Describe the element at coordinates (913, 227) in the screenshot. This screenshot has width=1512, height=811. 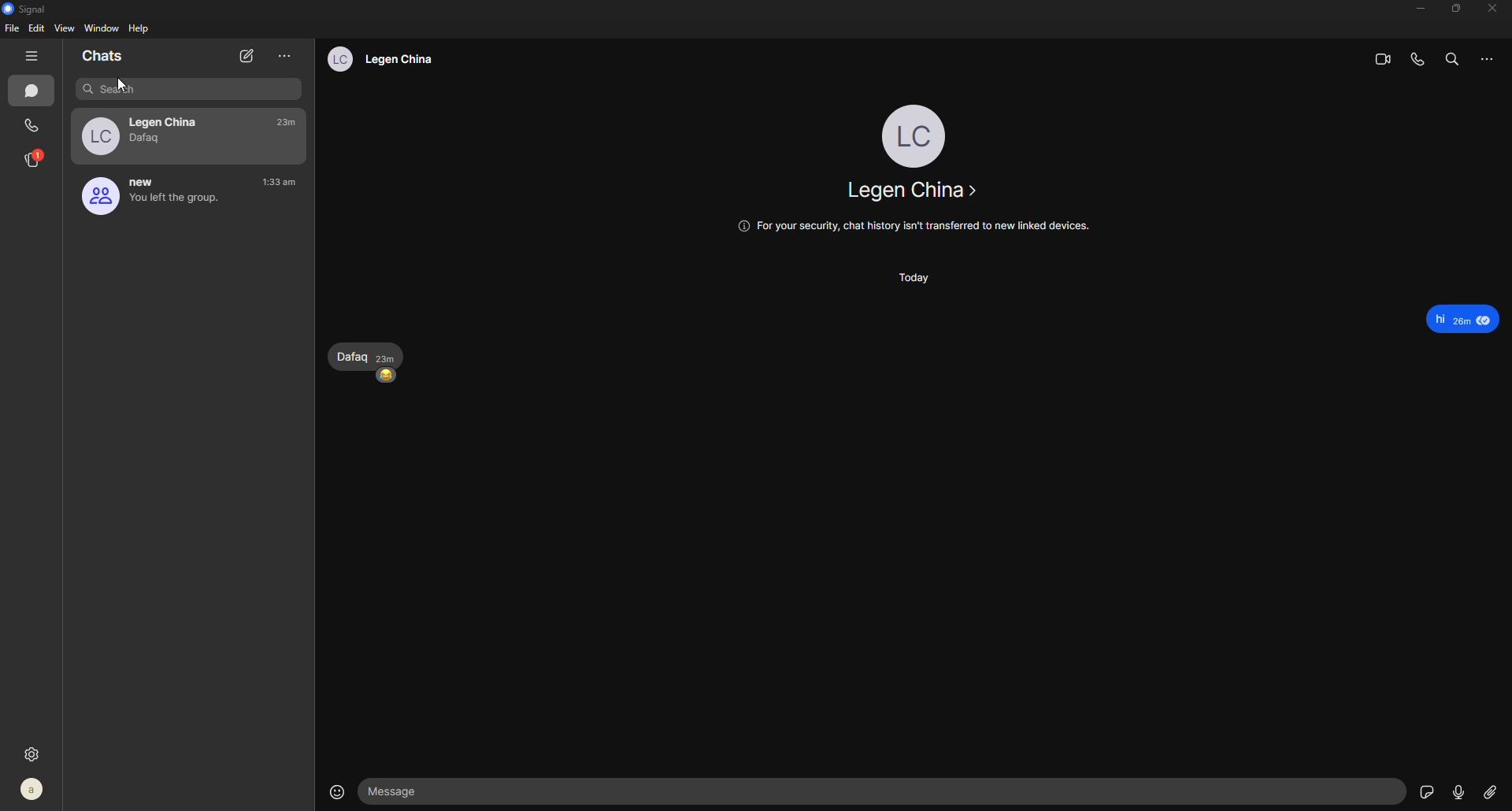
I see `@ For your security, chat history isn't transferred to new linked devices.` at that location.